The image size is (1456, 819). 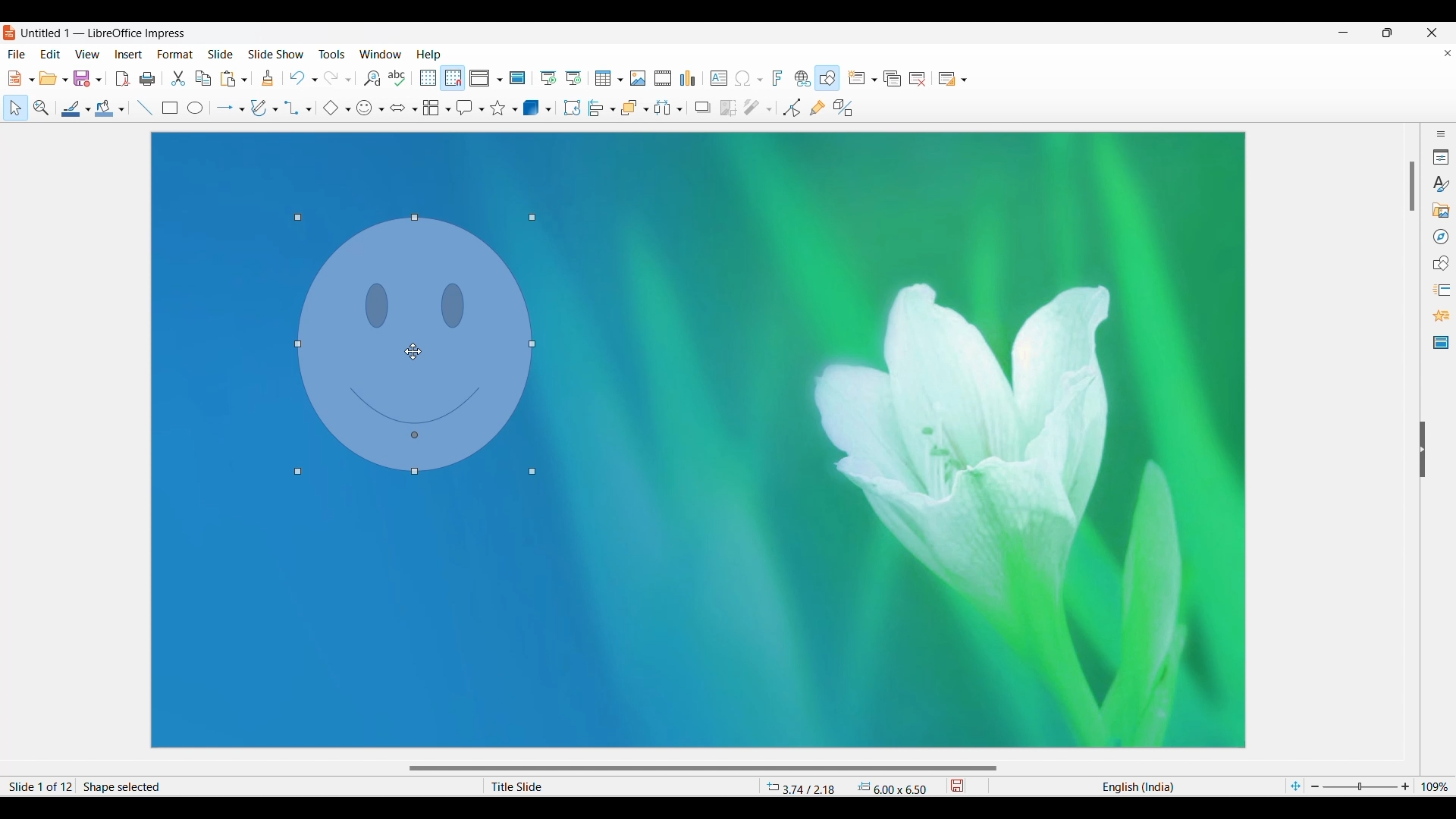 I want to click on 6.00 x 6.50, so click(x=893, y=787).